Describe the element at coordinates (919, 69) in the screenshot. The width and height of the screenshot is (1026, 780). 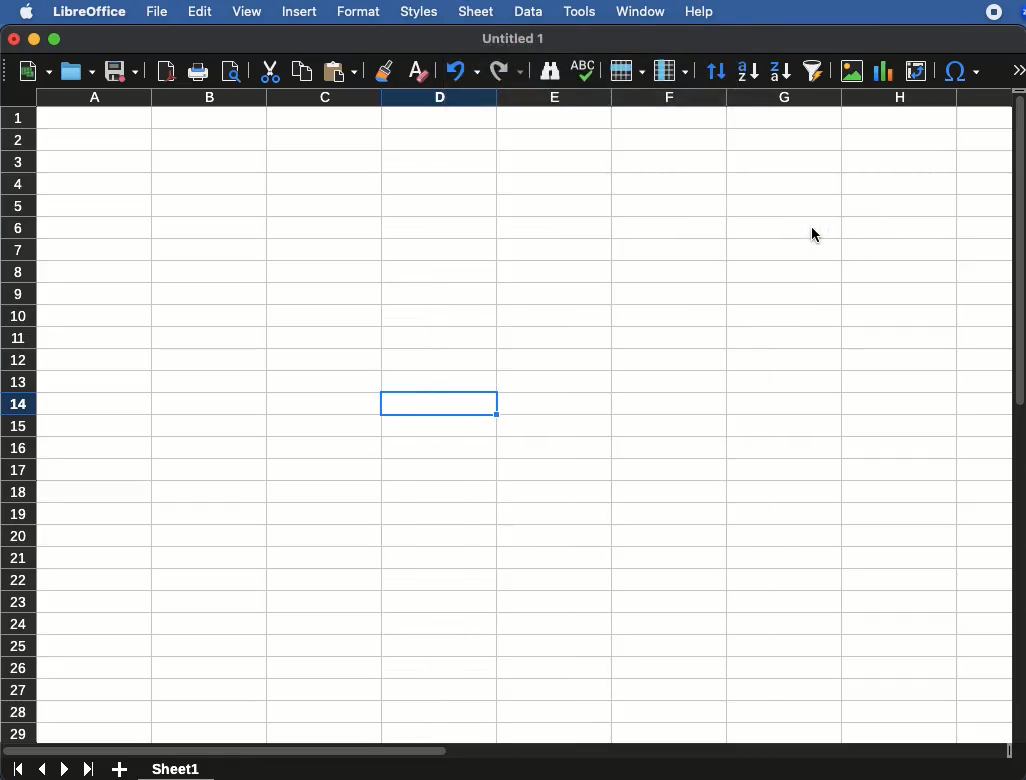
I see `pivot table` at that location.